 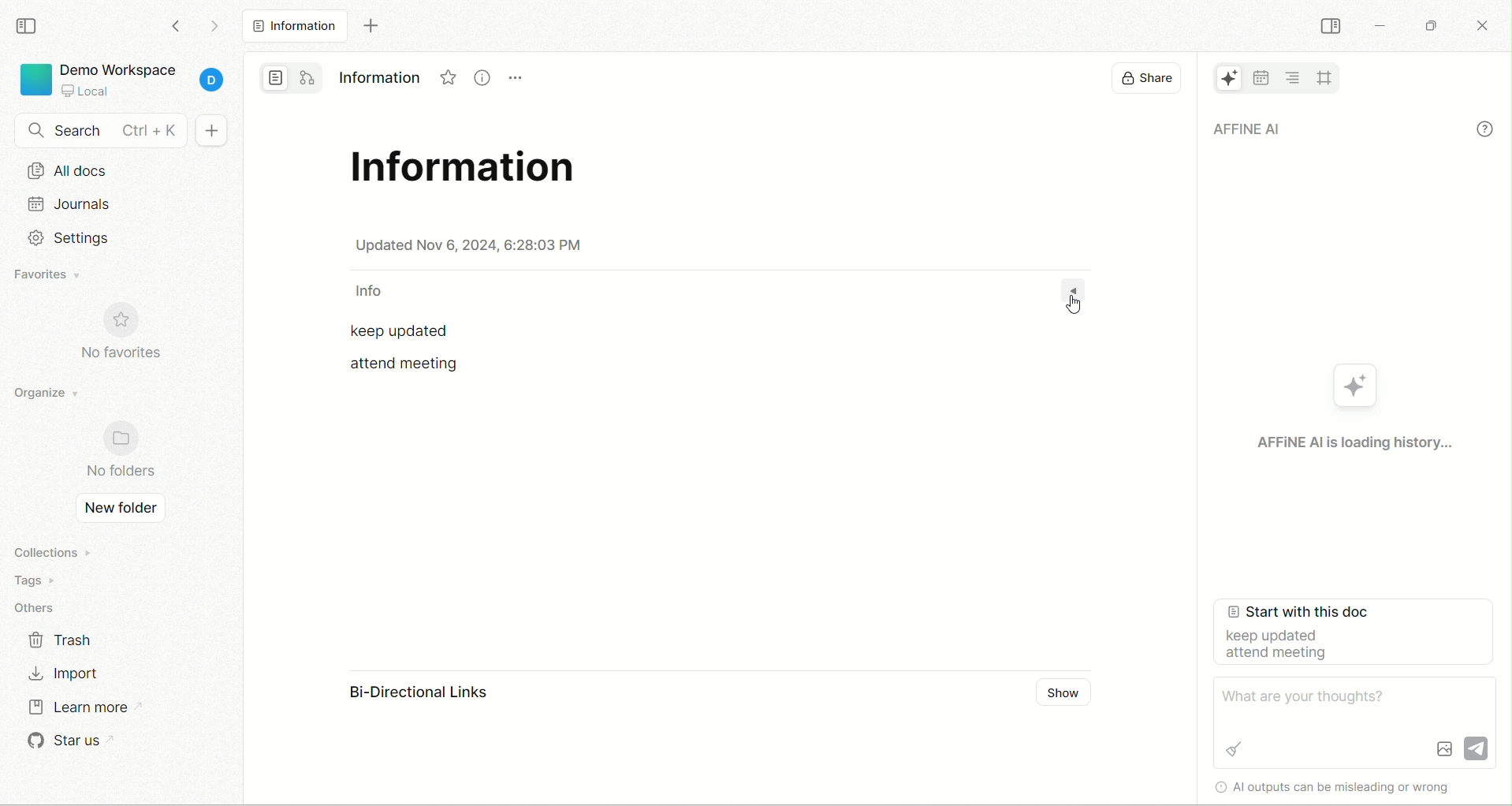 What do you see at coordinates (1324, 76) in the screenshot?
I see `all frames` at bounding box center [1324, 76].